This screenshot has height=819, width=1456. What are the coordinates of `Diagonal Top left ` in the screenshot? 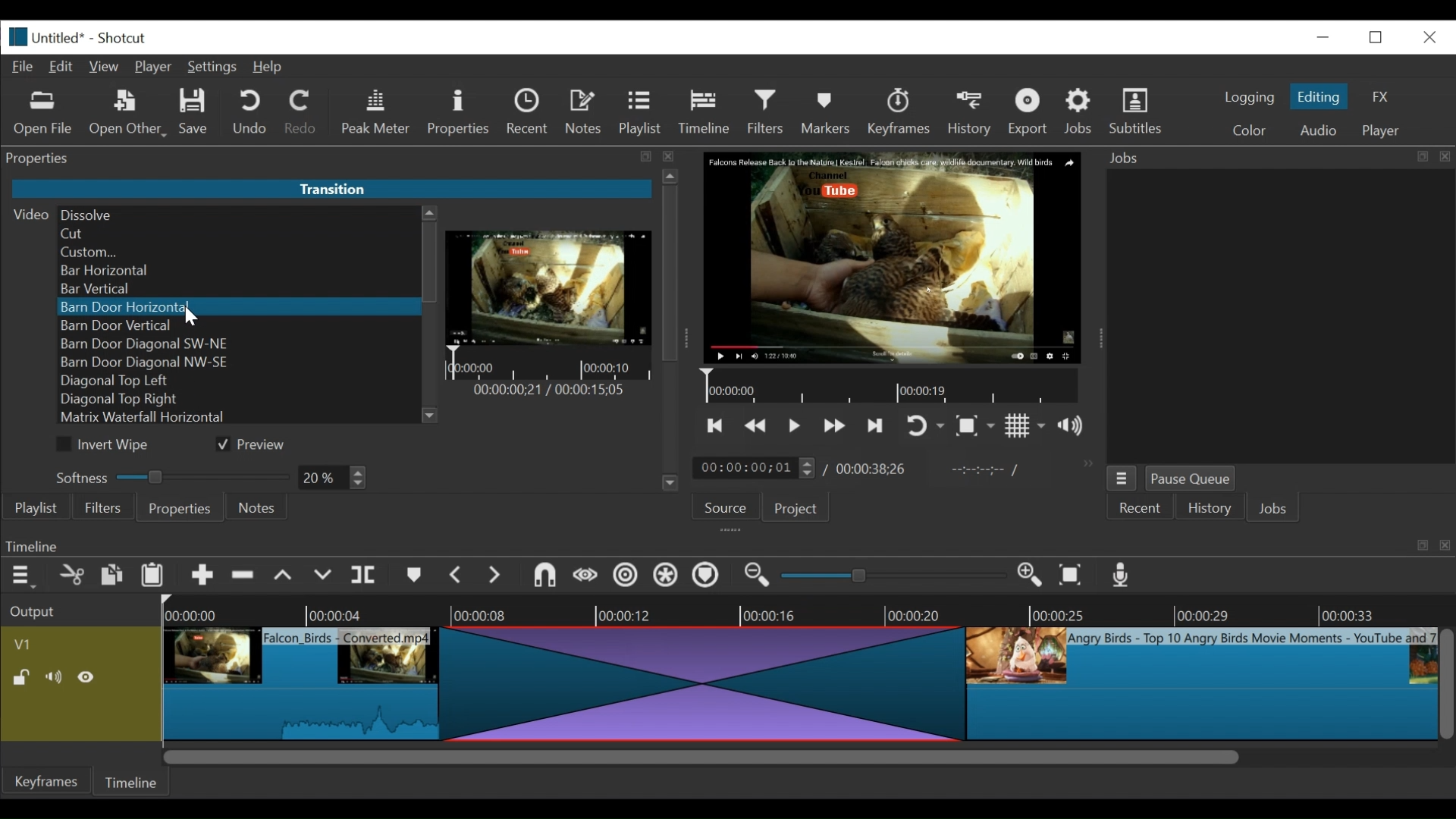 It's located at (240, 382).